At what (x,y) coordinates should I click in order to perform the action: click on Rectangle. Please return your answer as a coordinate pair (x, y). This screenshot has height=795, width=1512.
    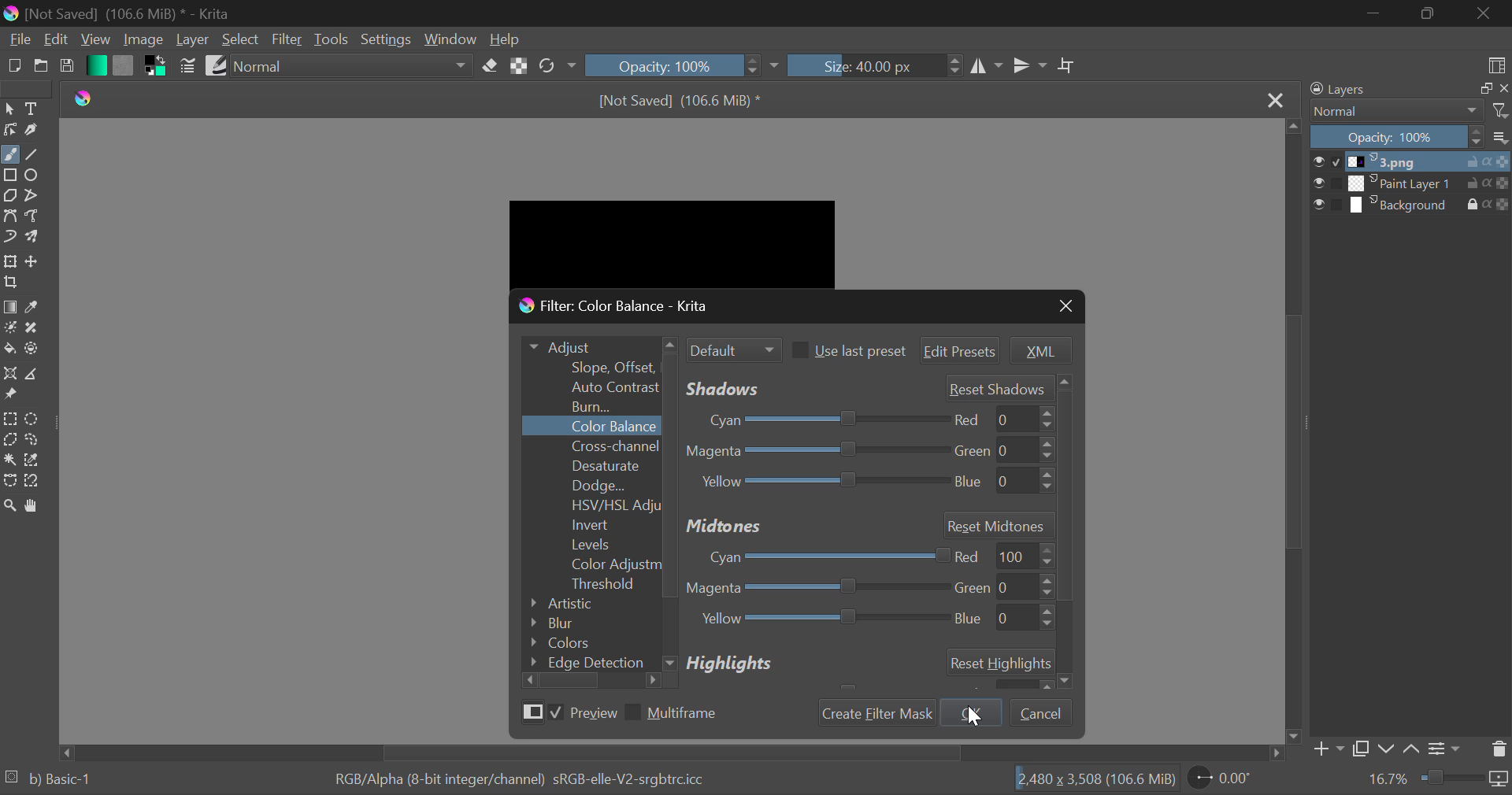
    Looking at the image, I should click on (13, 176).